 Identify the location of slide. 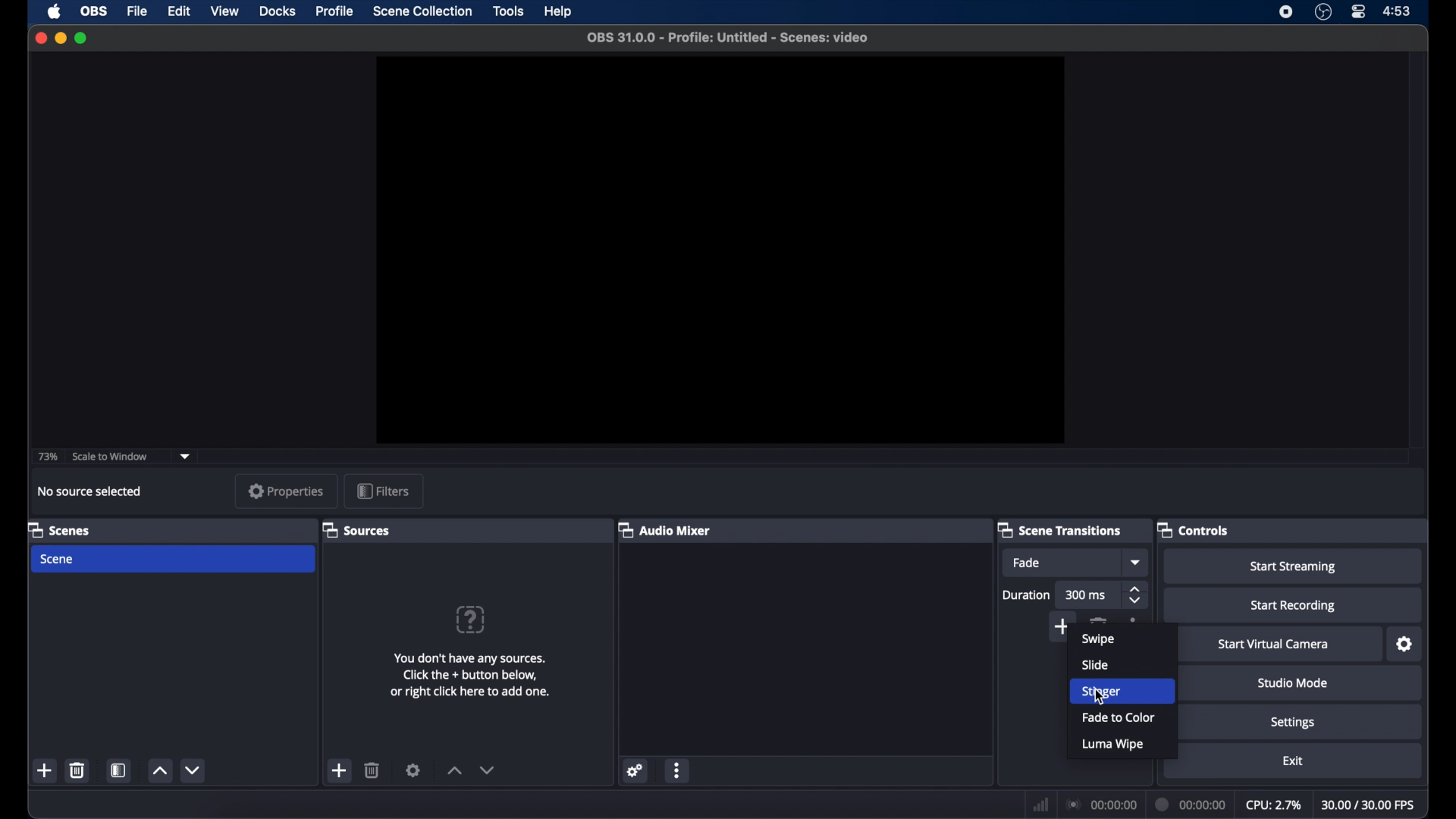
(1095, 664).